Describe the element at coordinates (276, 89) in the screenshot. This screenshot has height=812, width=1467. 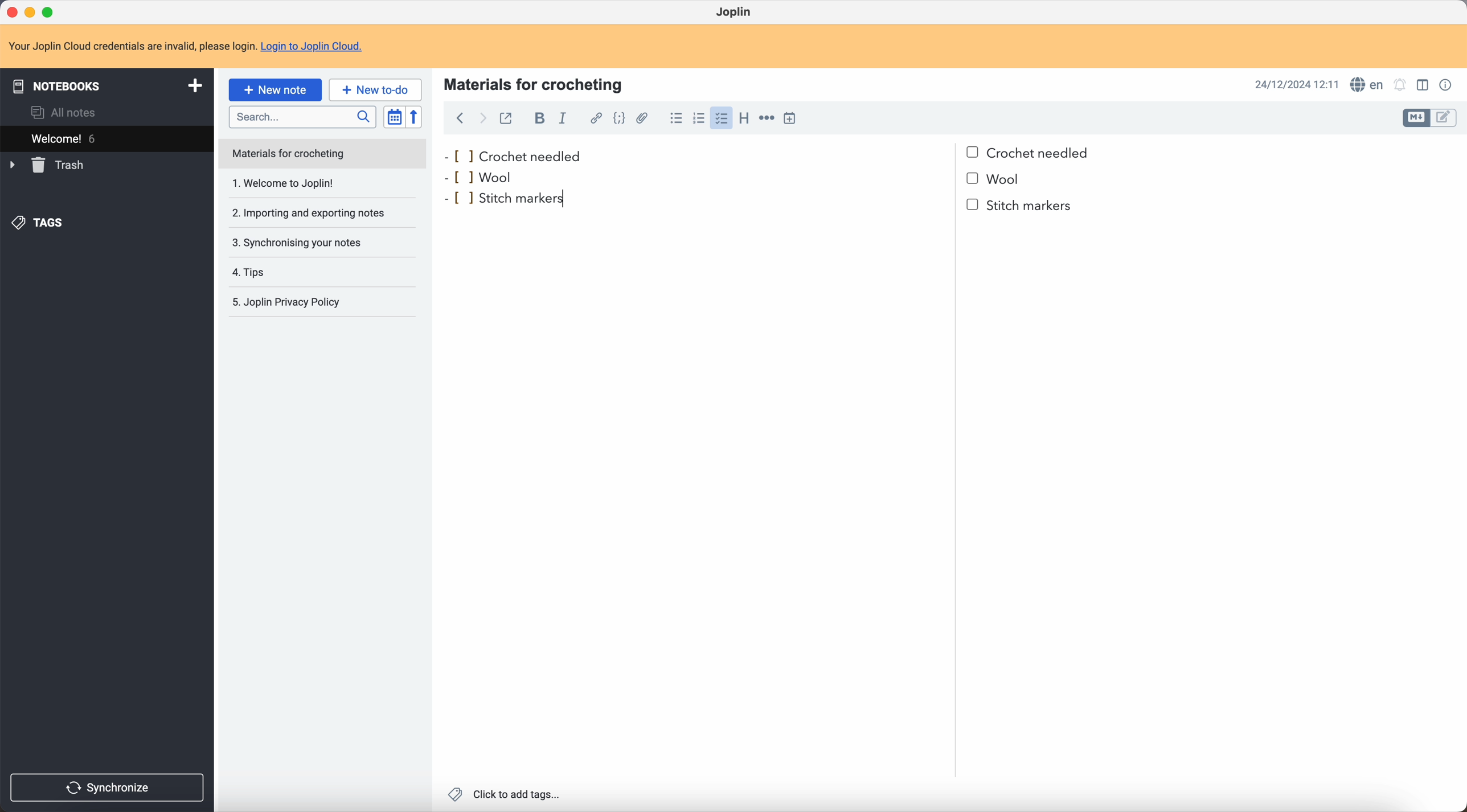
I see `click on new note` at that location.